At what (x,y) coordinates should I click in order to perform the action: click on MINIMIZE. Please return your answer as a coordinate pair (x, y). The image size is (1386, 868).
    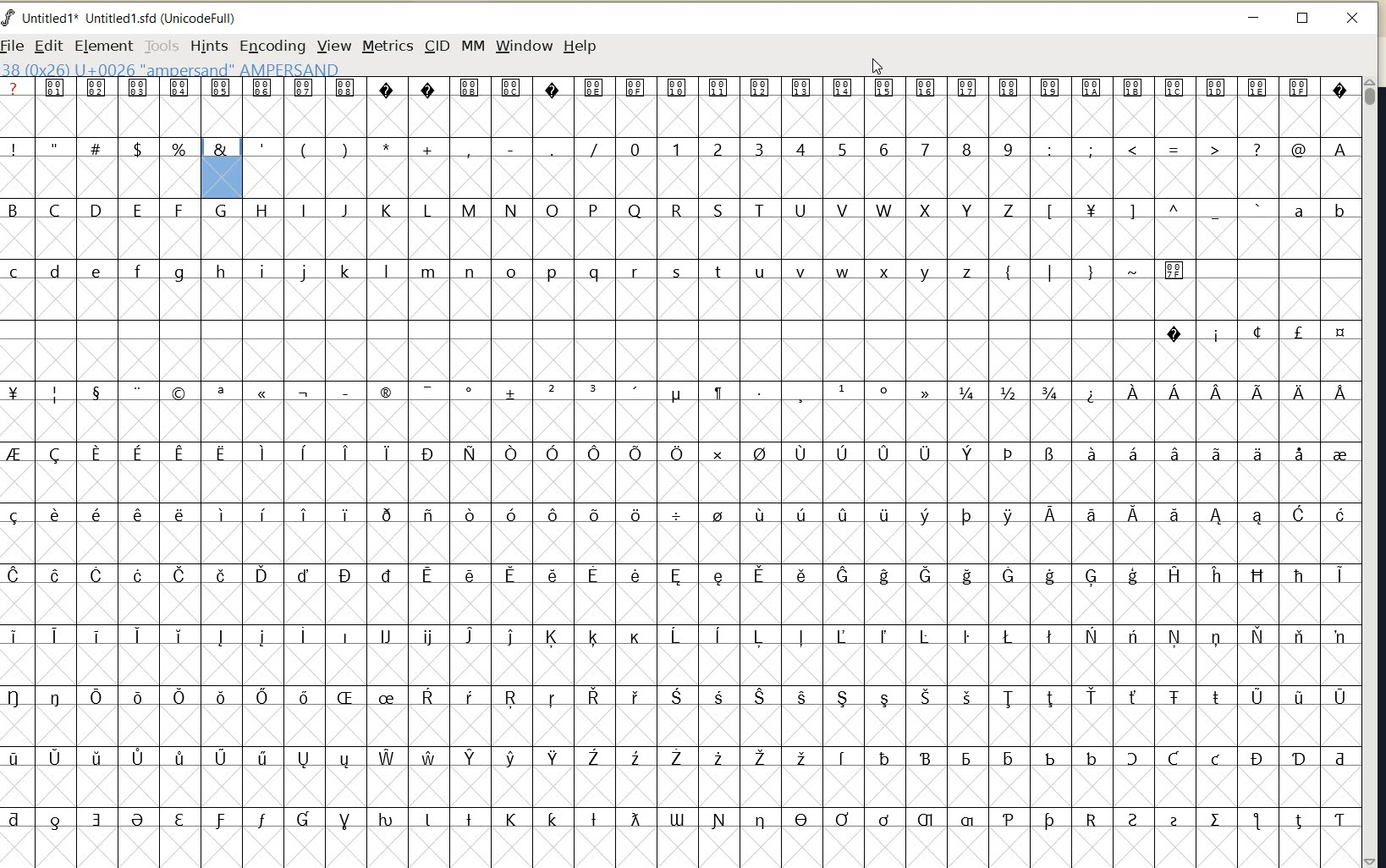
    Looking at the image, I should click on (1255, 17).